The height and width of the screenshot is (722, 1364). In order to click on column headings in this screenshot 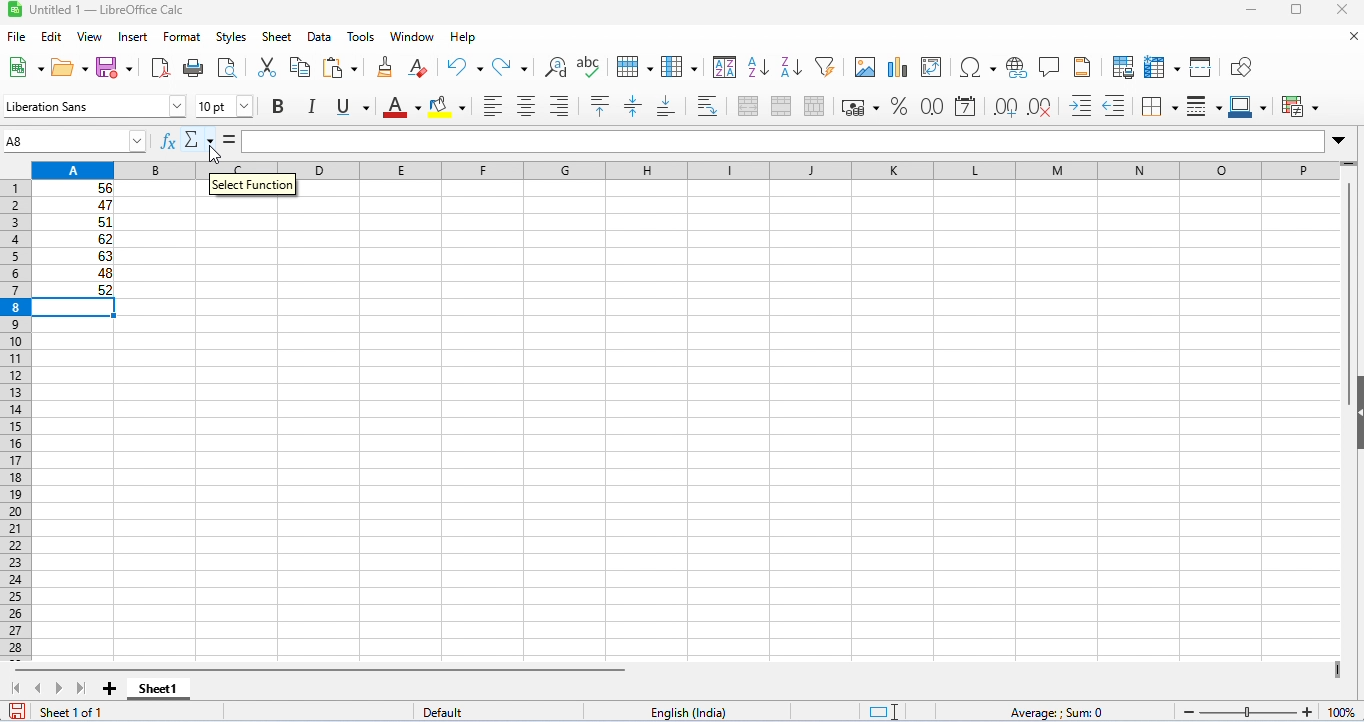, I will do `click(688, 171)`.